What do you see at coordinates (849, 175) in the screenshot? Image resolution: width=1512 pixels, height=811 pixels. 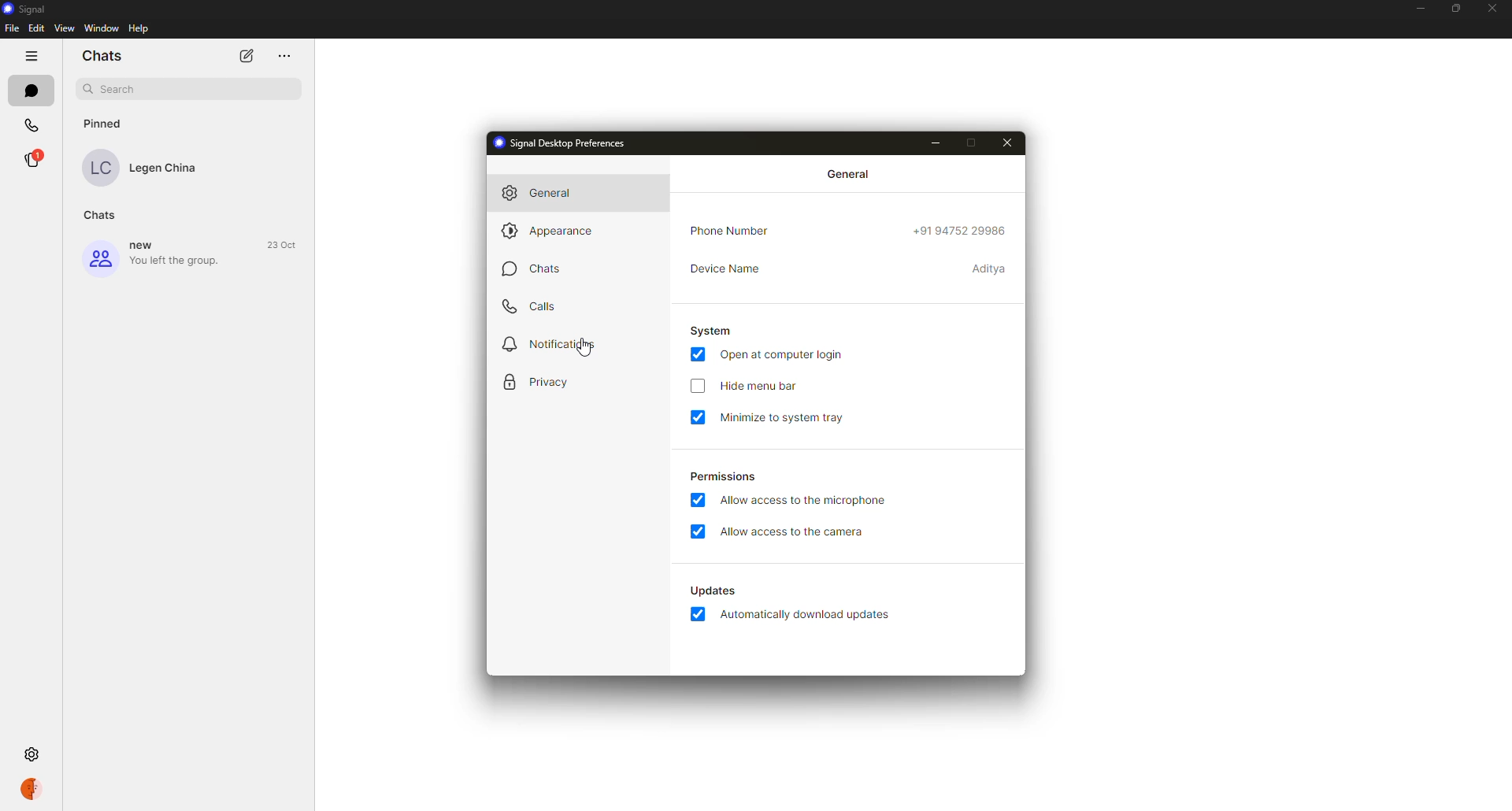 I see `general` at bounding box center [849, 175].